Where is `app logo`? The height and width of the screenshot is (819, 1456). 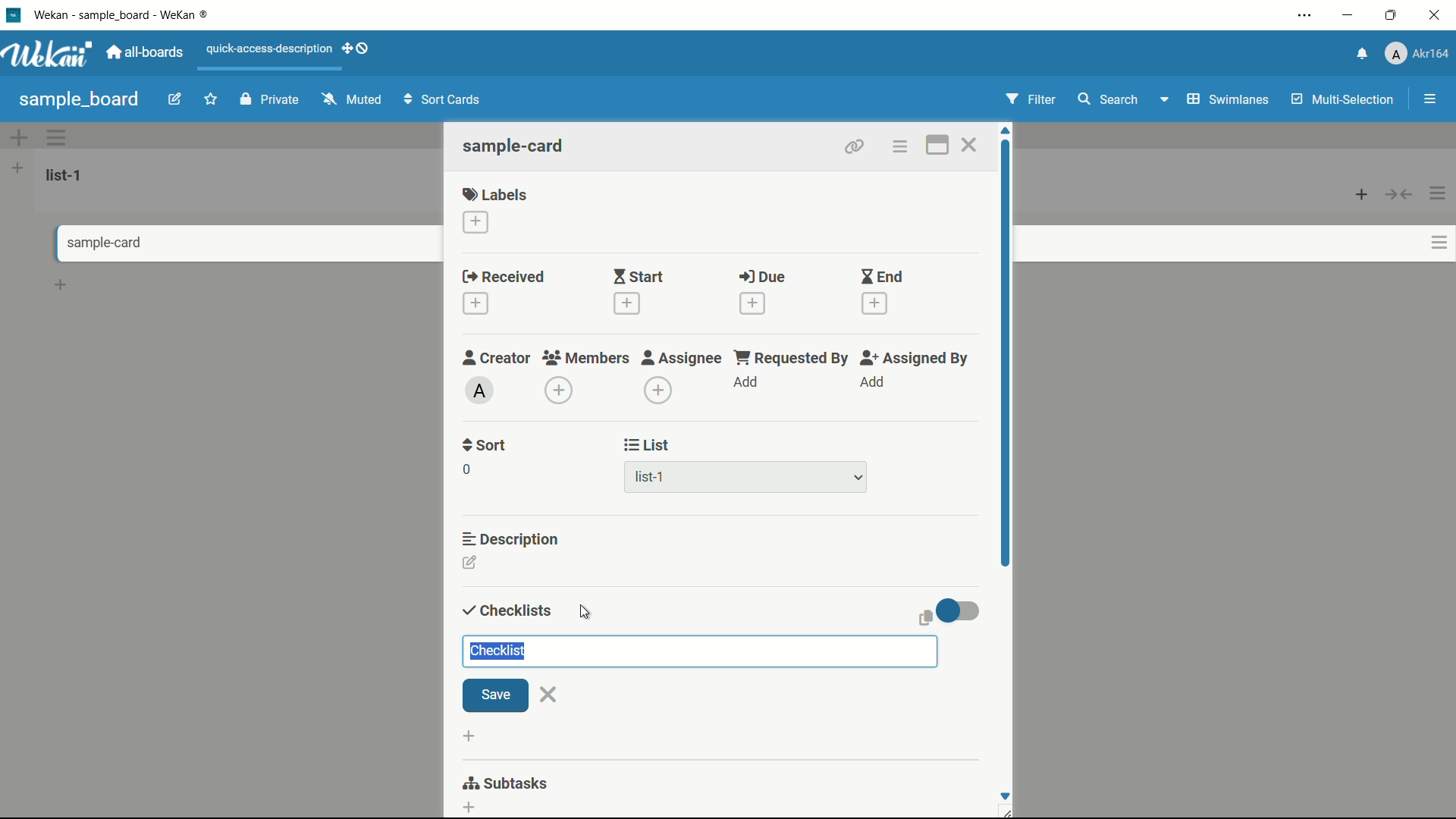
app logo is located at coordinates (47, 54).